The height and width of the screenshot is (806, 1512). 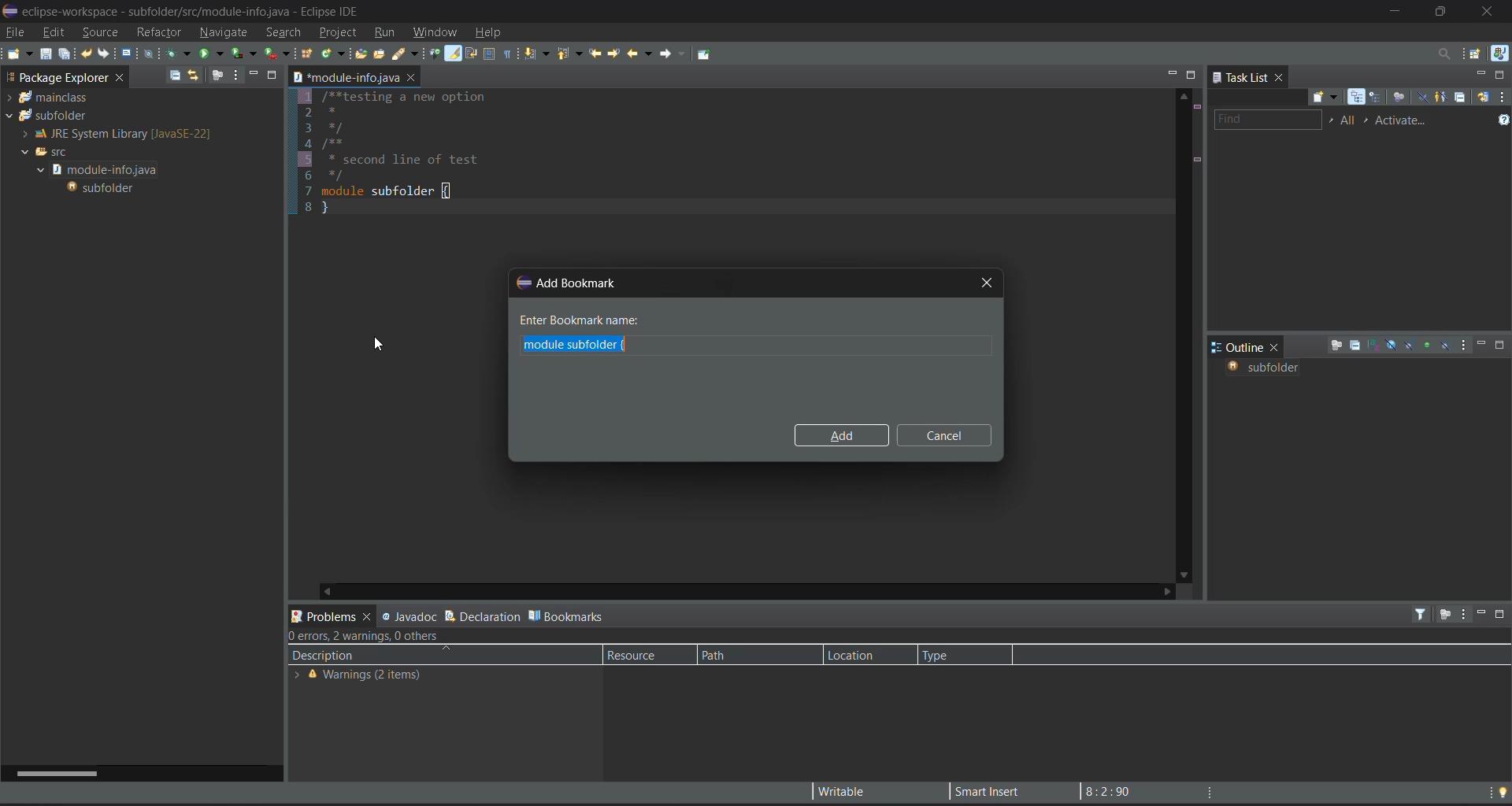 What do you see at coordinates (1196, 161) in the screenshot?
I see `changed lines marks` at bounding box center [1196, 161].